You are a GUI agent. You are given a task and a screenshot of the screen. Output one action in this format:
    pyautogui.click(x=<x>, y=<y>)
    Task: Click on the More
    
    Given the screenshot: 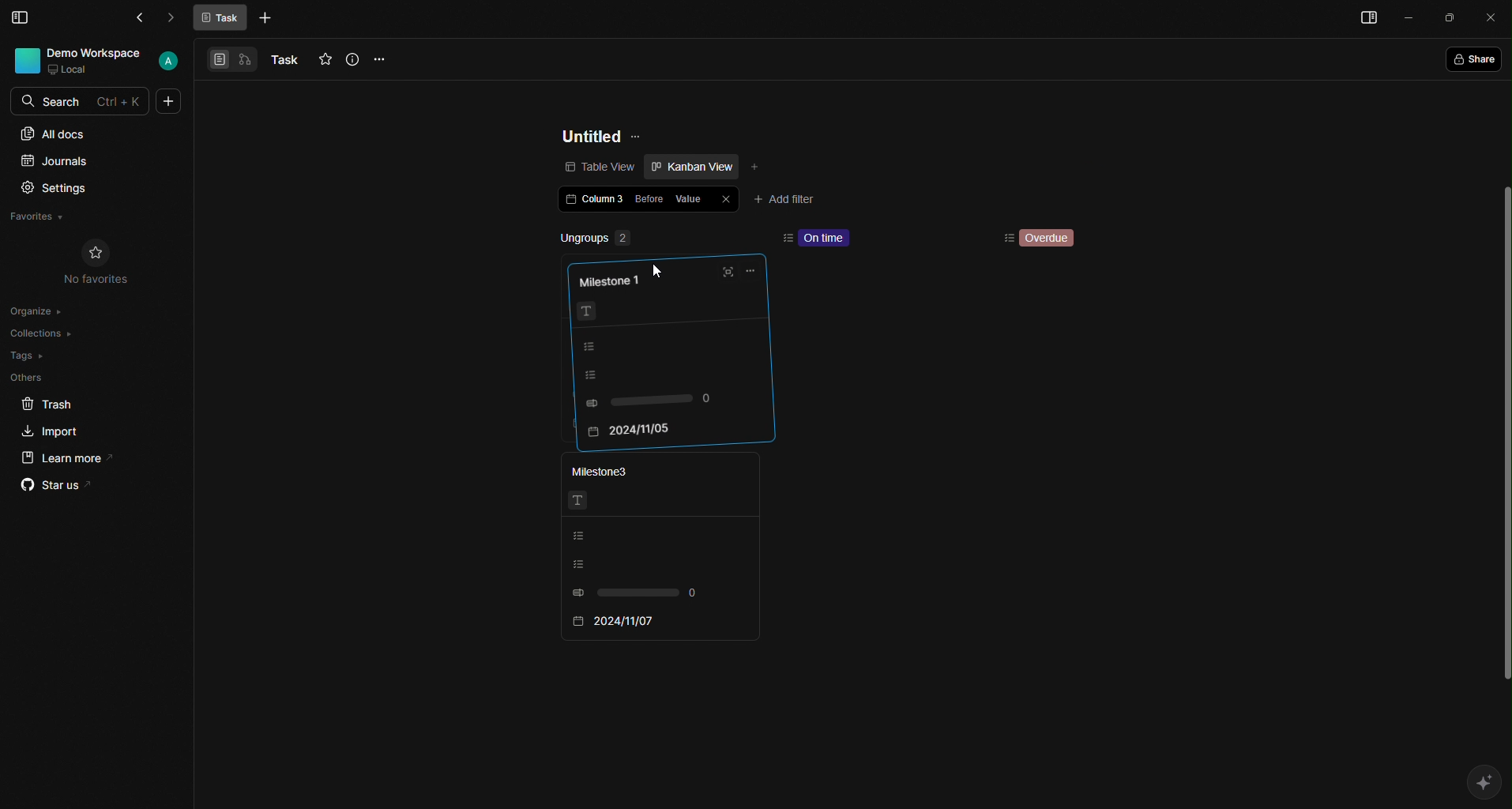 What is the action you would take?
    pyautogui.click(x=168, y=101)
    